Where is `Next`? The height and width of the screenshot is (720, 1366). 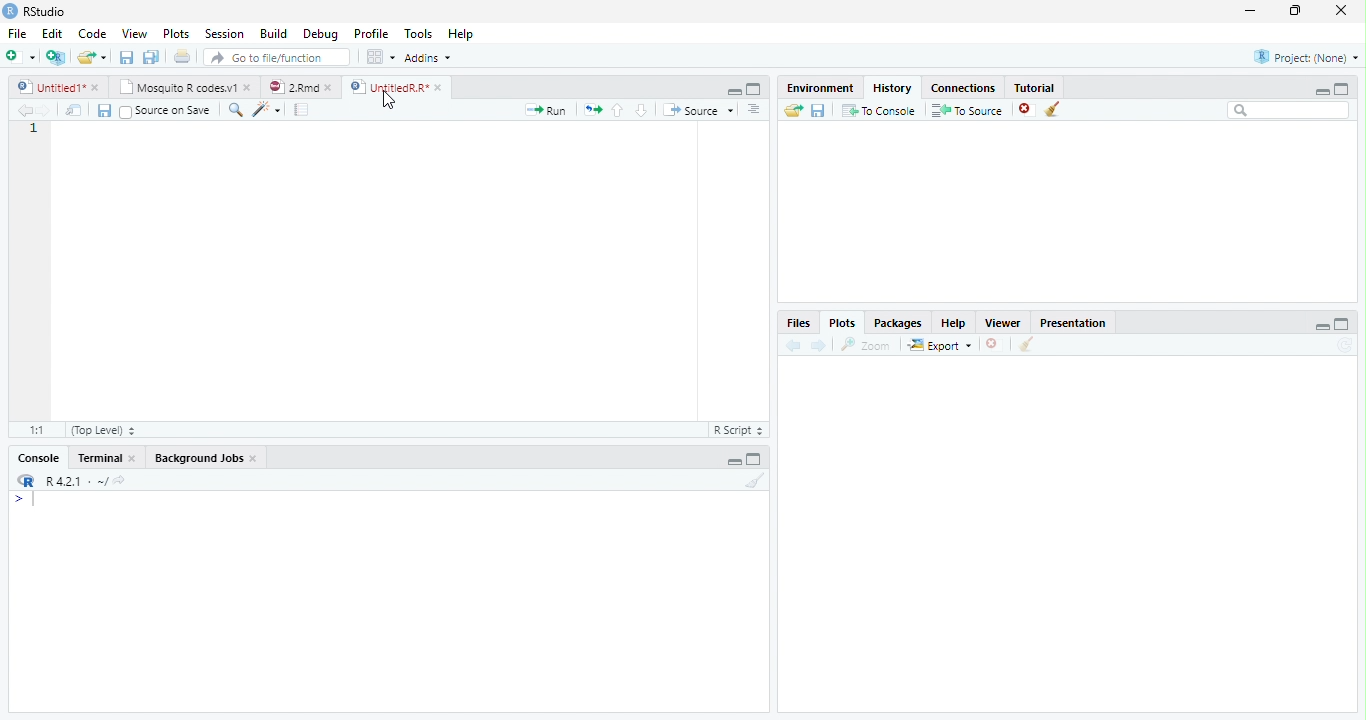 Next is located at coordinates (46, 110).